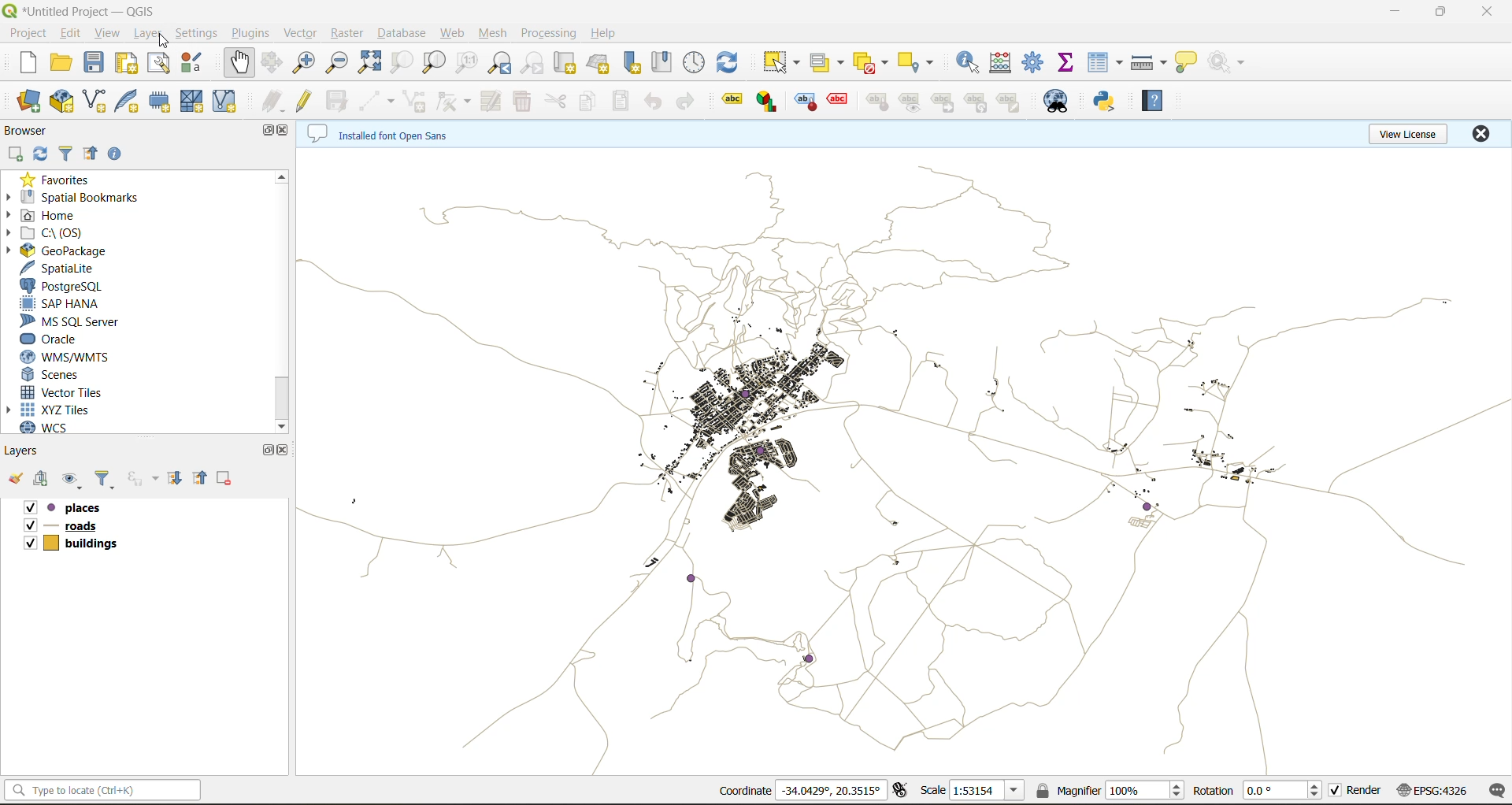 Image resolution: width=1512 pixels, height=805 pixels. I want to click on control  panel , so click(692, 61).